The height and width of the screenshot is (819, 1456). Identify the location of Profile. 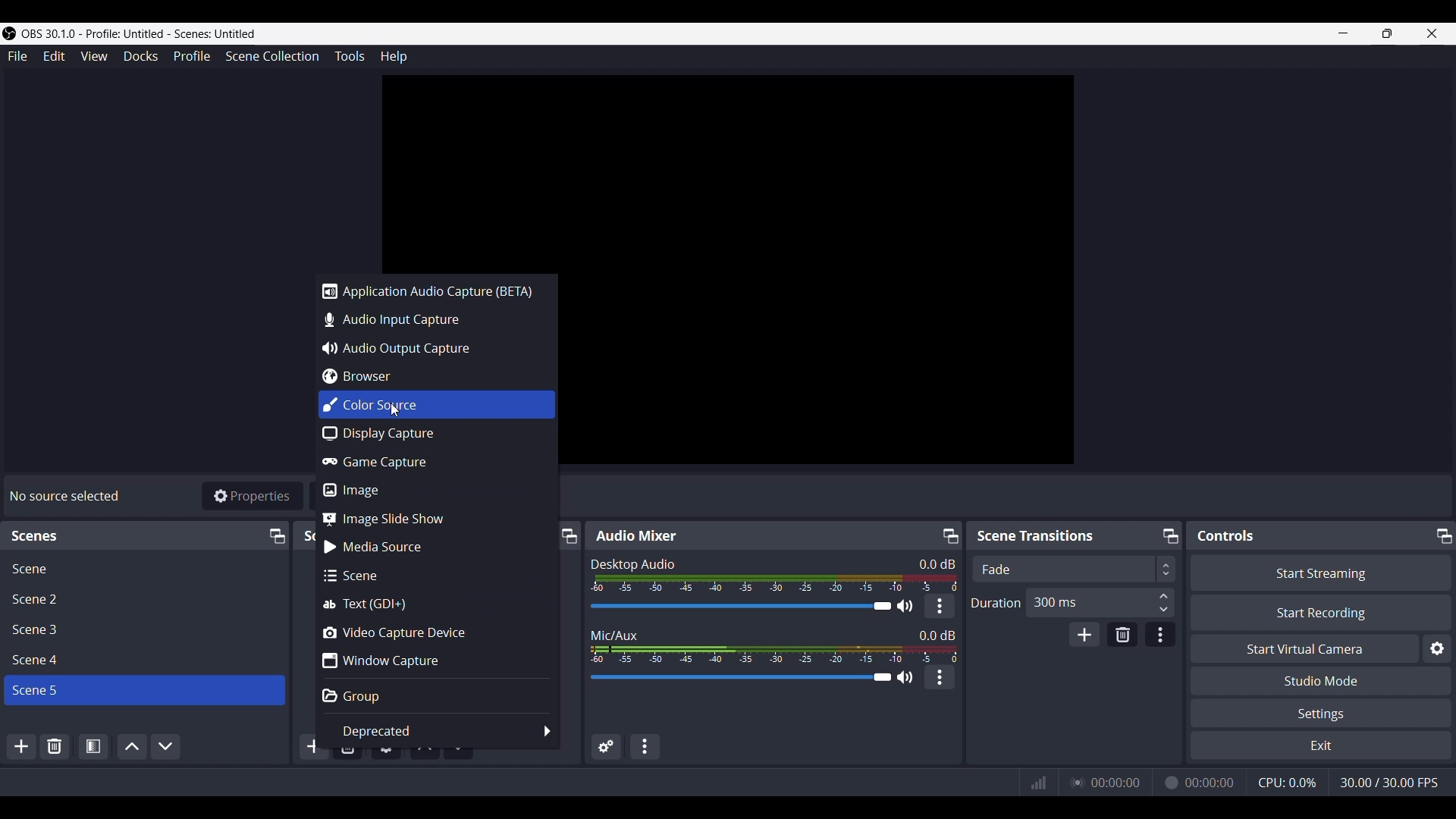
(193, 57).